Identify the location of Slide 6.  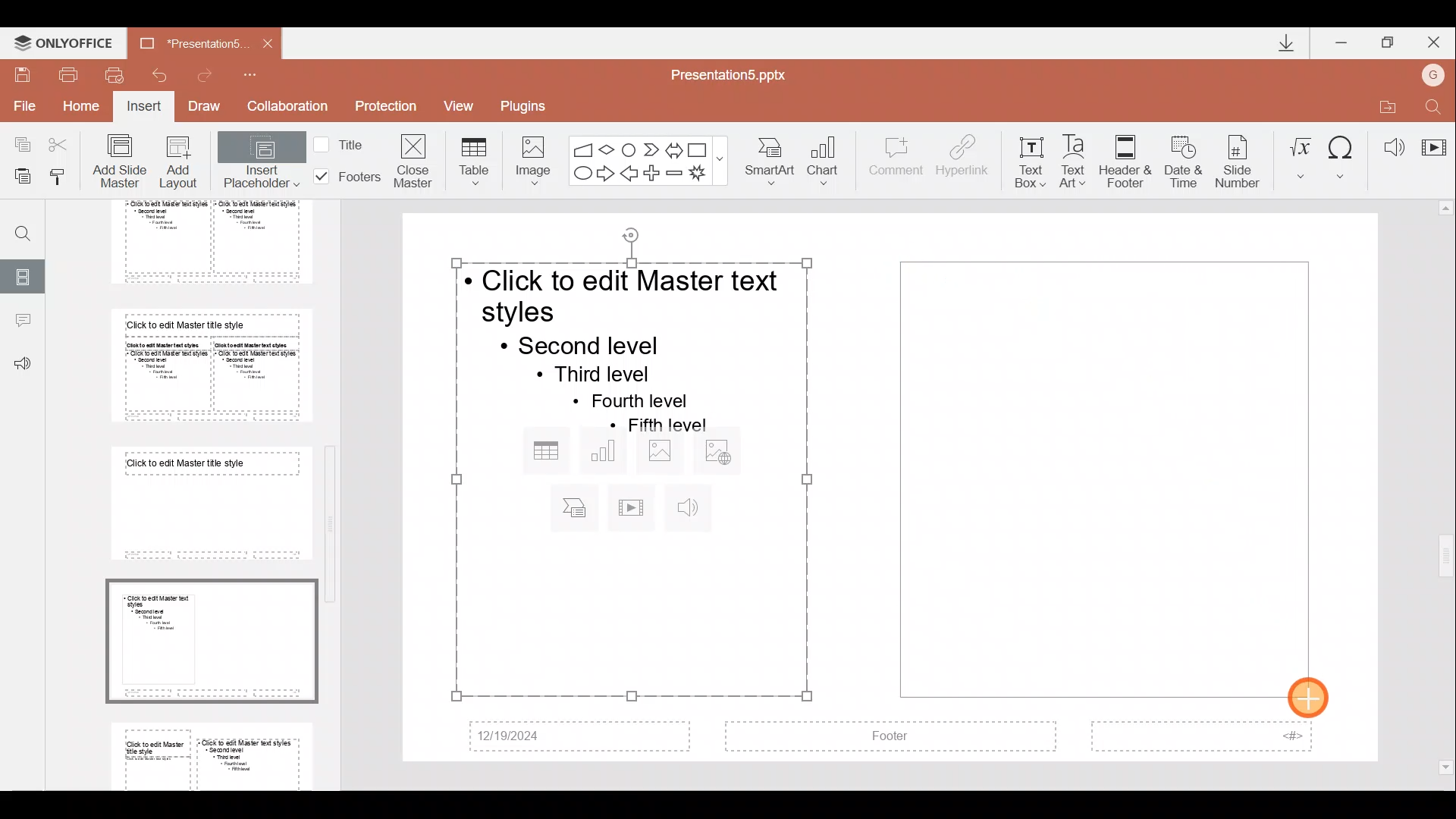
(206, 365).